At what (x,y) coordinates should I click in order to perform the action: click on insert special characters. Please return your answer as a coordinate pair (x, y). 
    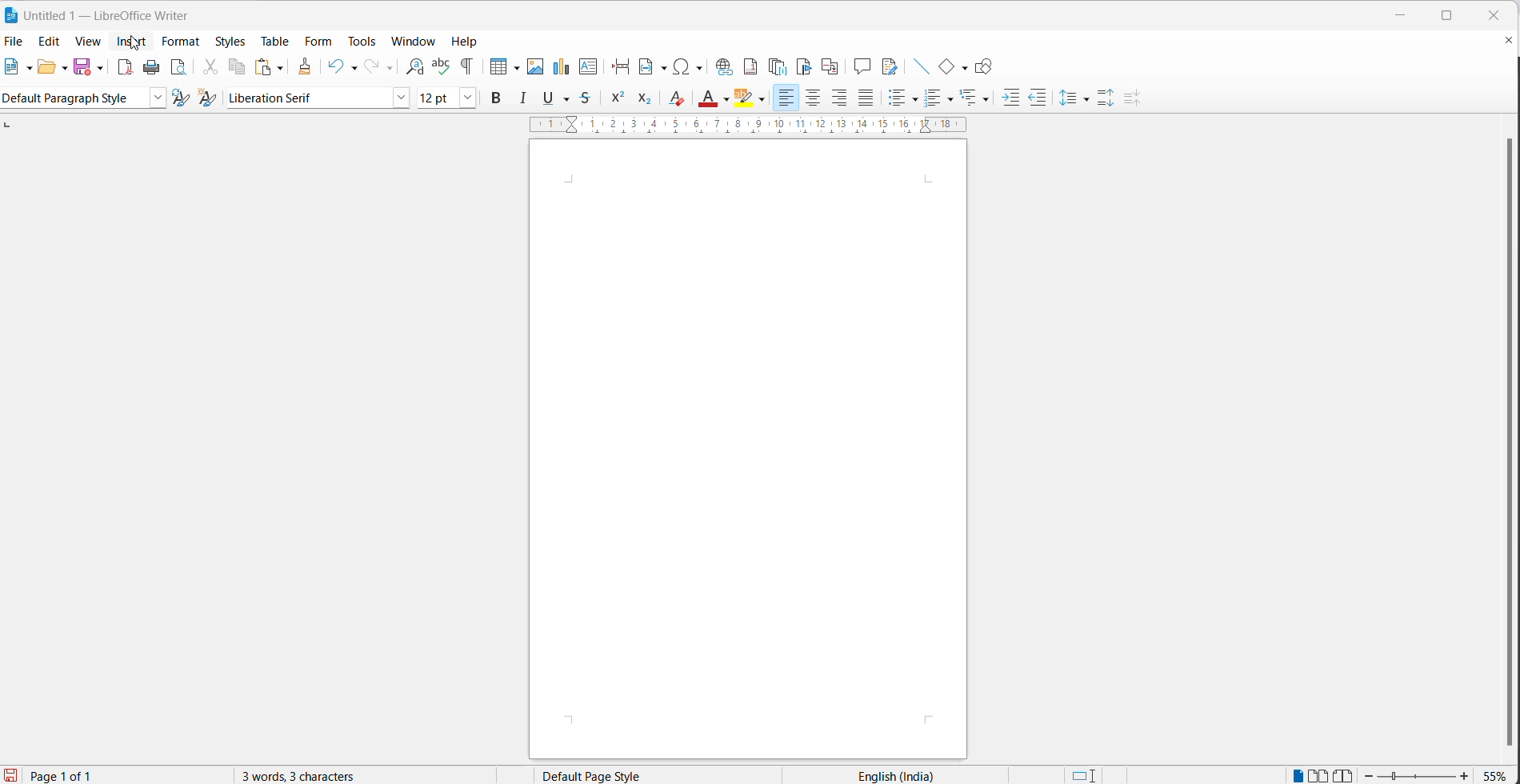
    Looking at the image, I should click on (690, 66).